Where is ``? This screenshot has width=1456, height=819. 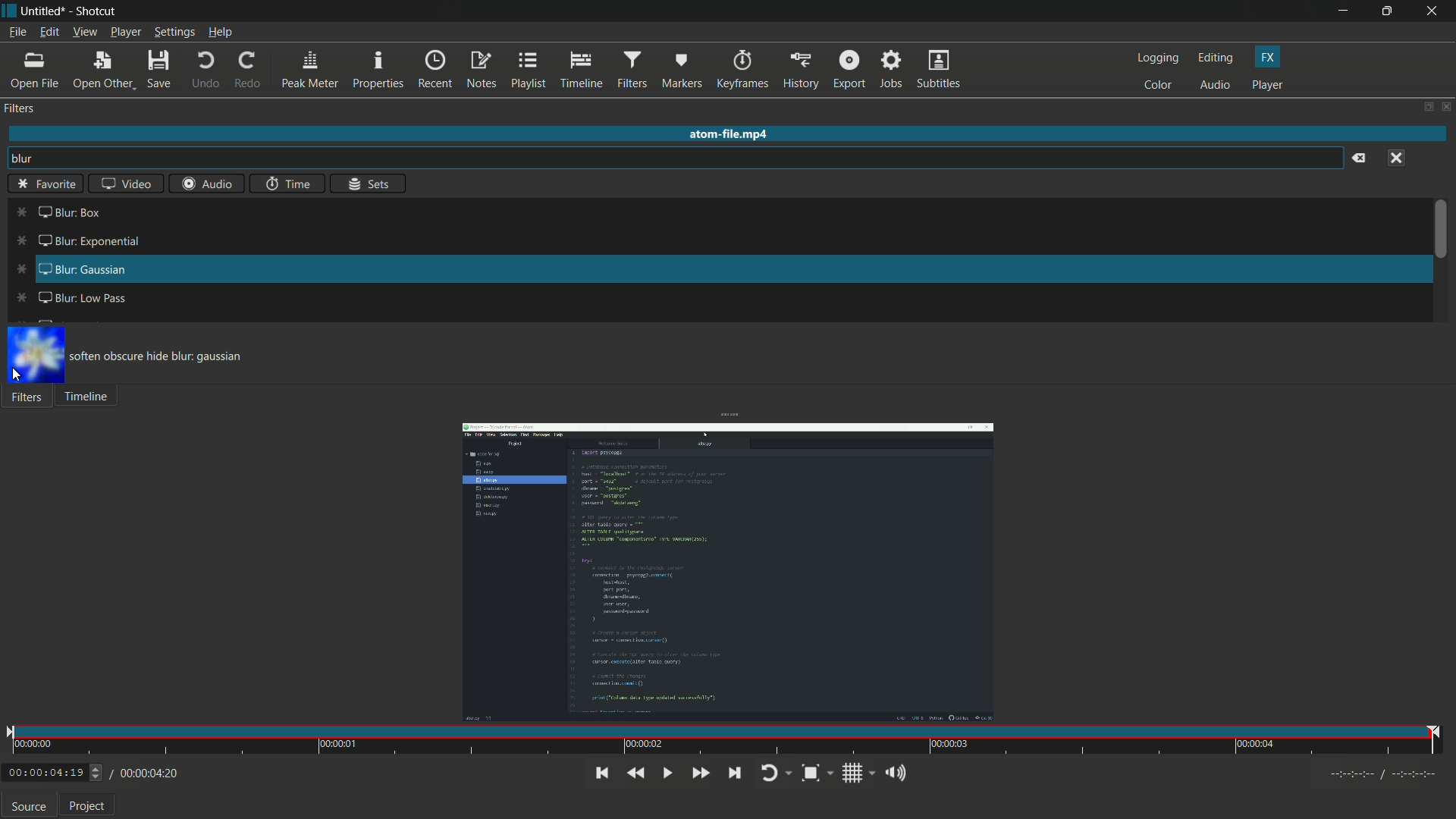  is located at coordinates (48, 183).